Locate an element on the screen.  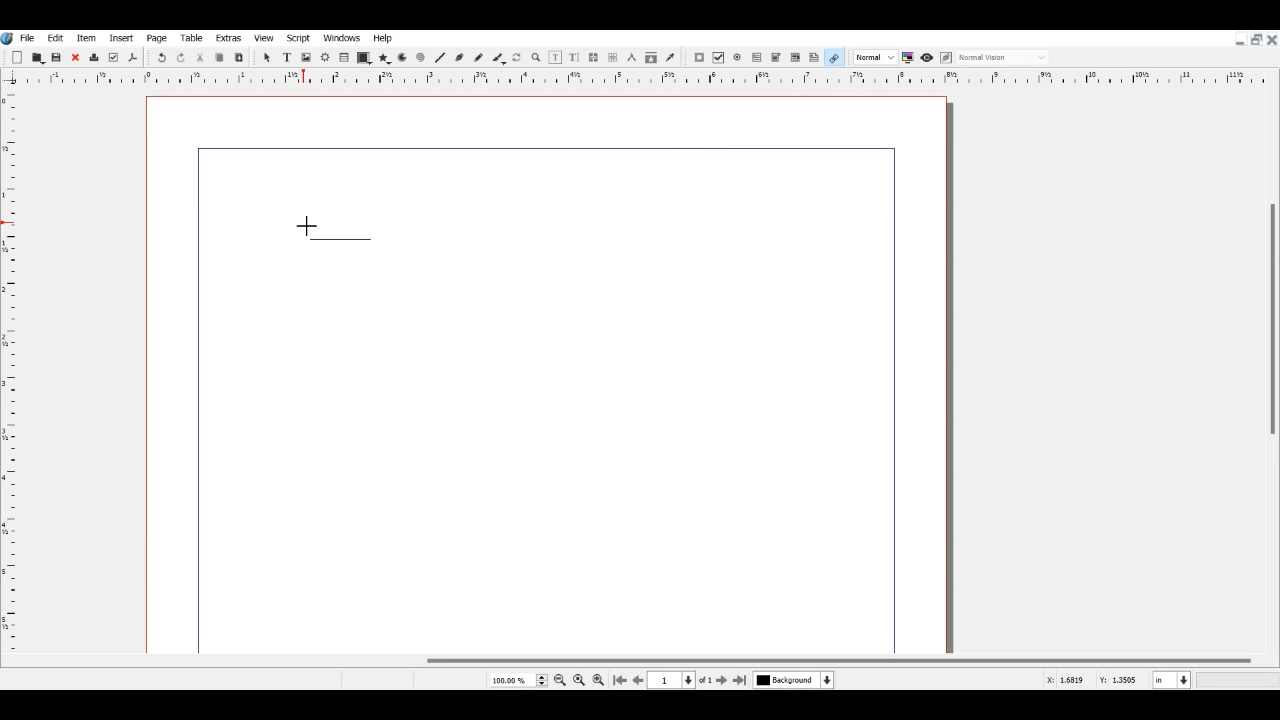
Go to Last Page is located at coordinates (742, 681).